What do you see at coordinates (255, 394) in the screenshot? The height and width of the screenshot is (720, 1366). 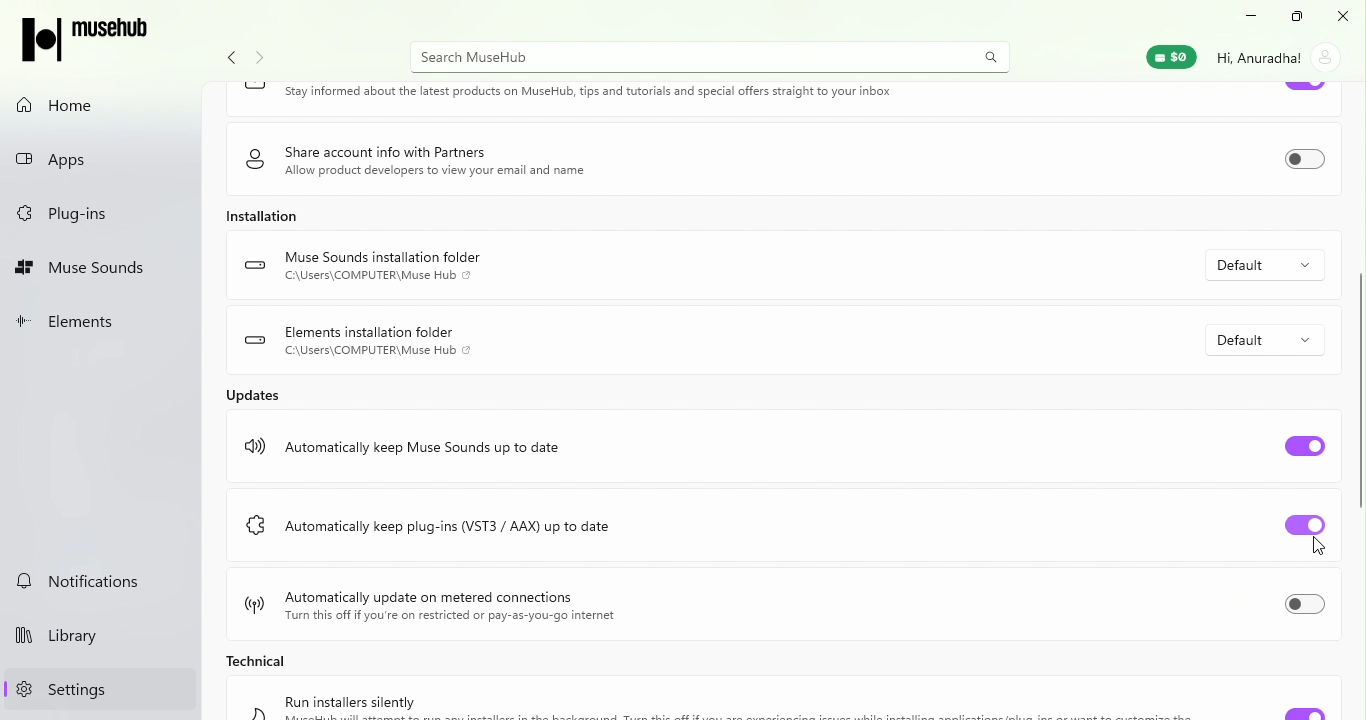 I see `Updates` at bounding box center [255, 394].